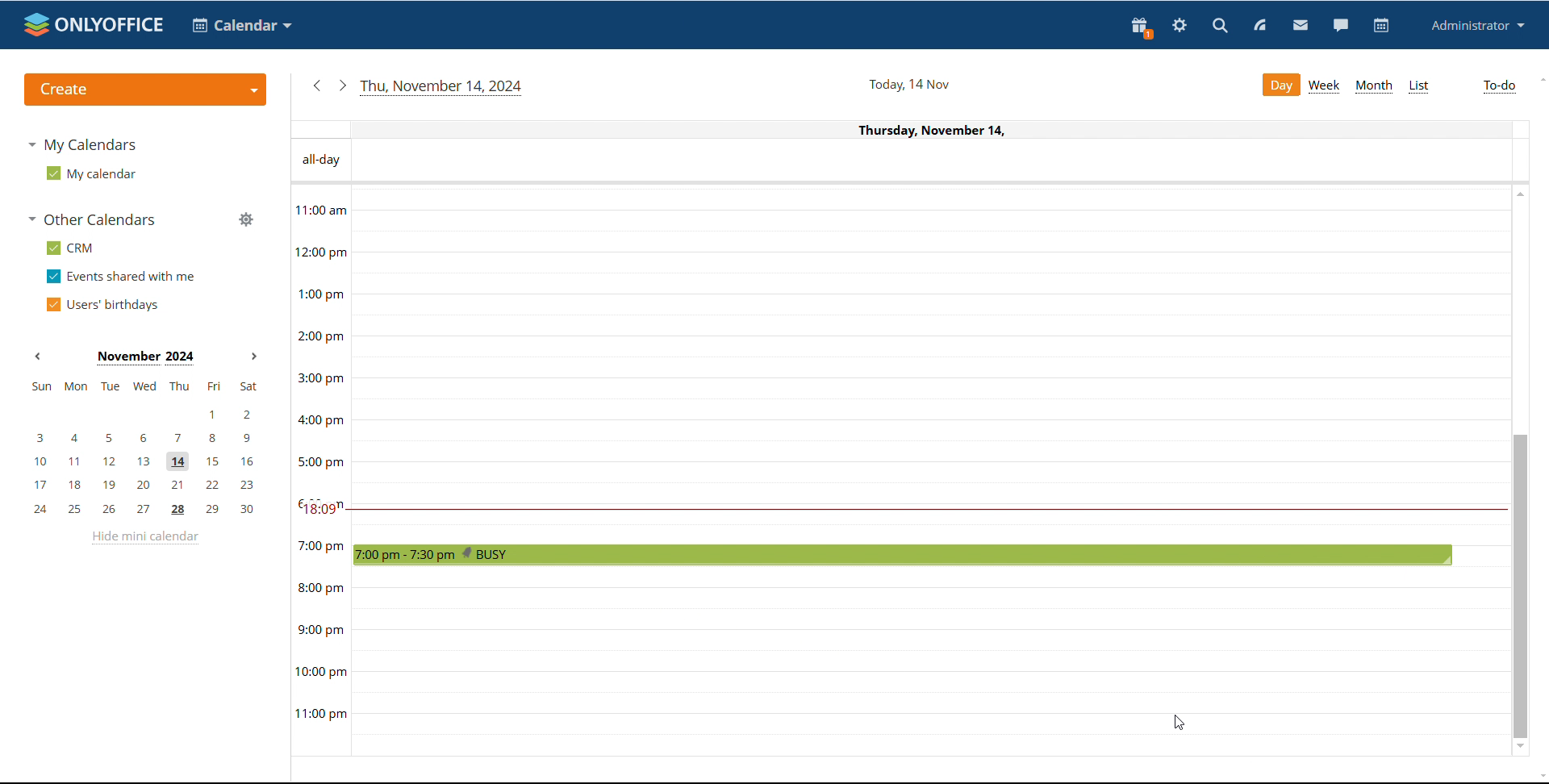 The height and width of the screenshot is (784, 1549). What do you see at coordinates (1520, 586) in the screenshot?
I see `scrollbar` at bounding box center [1520, 586].